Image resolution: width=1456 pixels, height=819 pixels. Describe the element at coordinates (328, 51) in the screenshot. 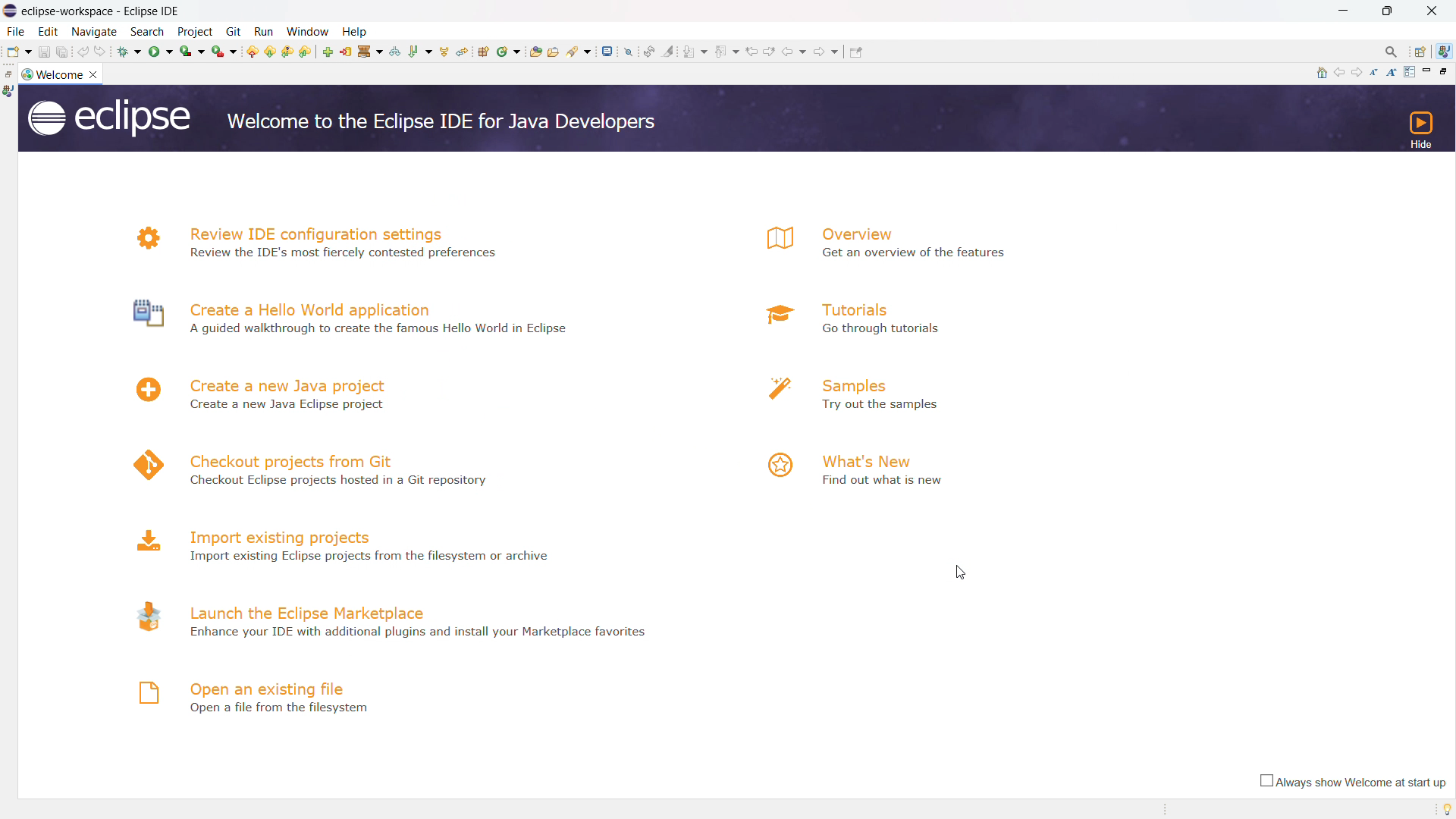

I see `add to index` at that location.